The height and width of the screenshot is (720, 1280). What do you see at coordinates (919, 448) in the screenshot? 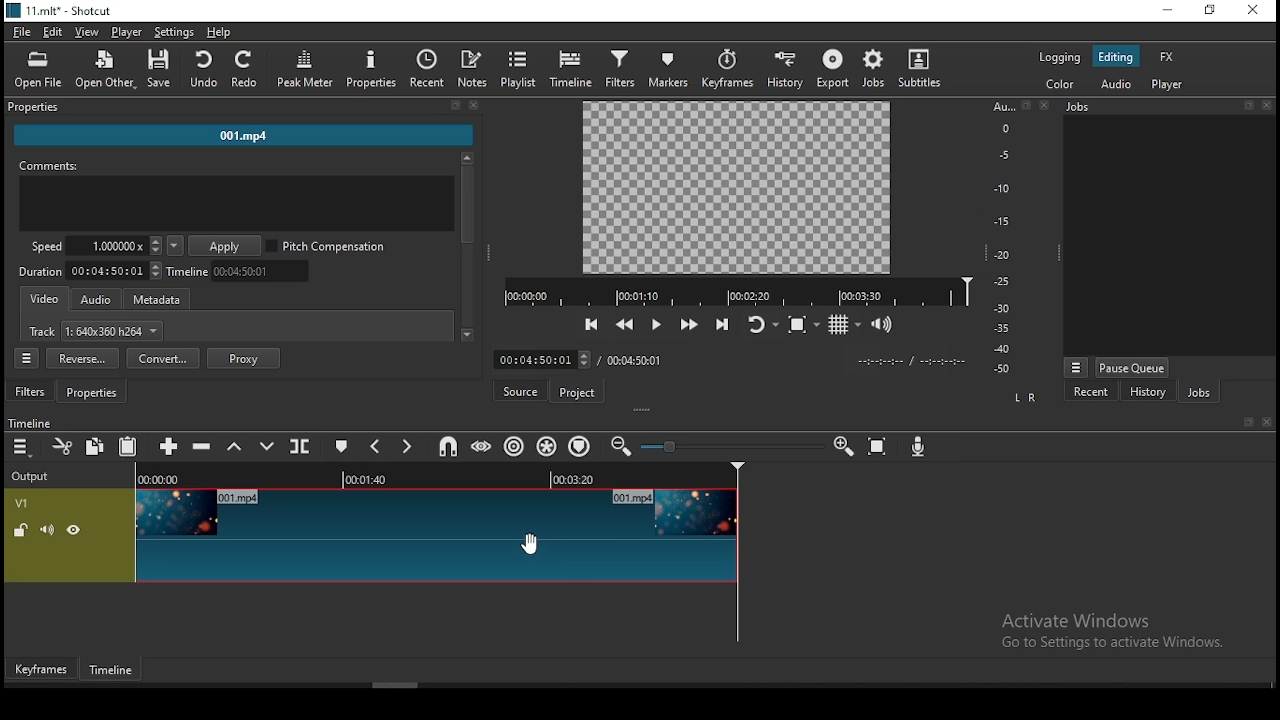
I see `record audio` at bounding box center [919, 448].